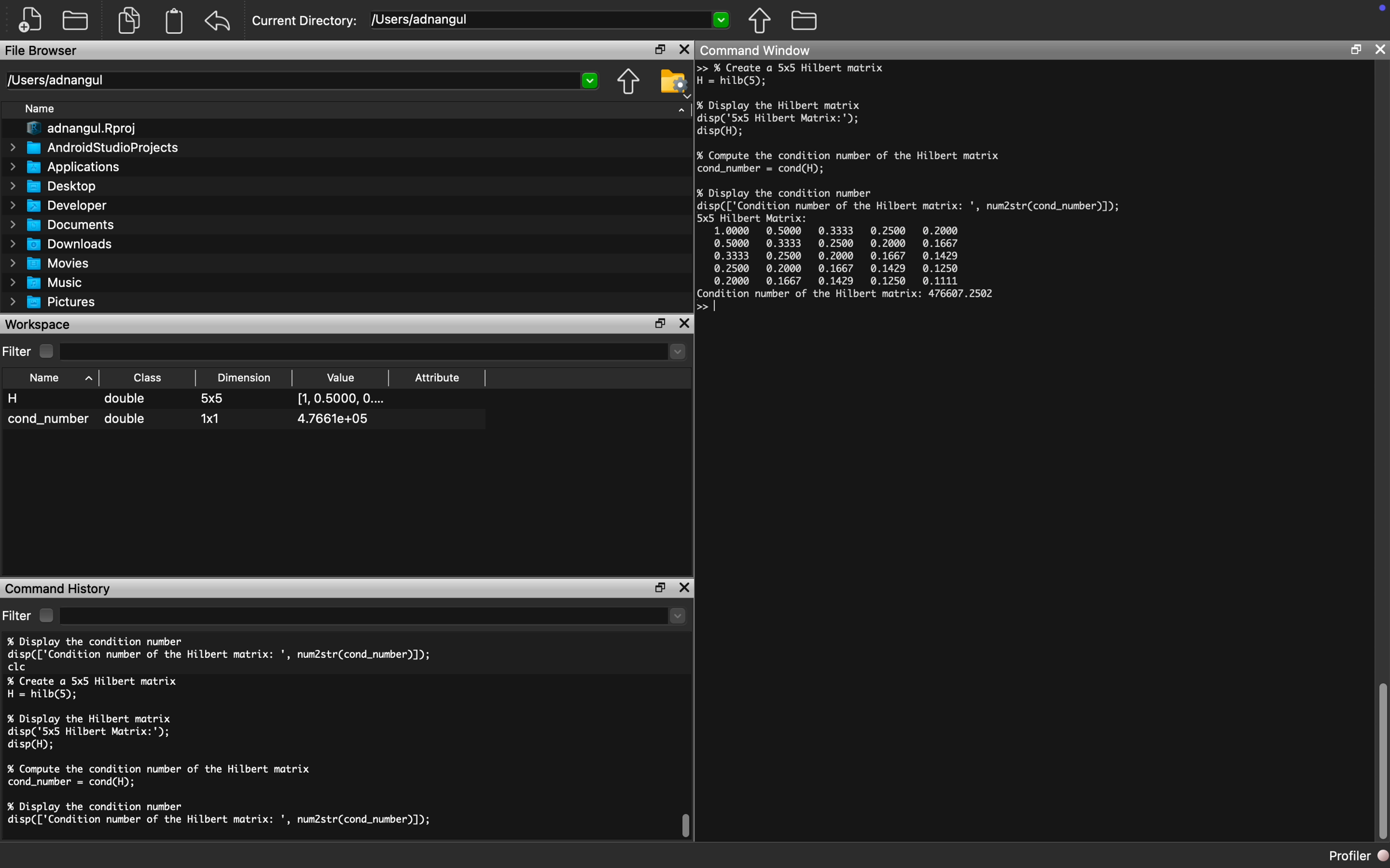 This screenshot has width=1390, height=868. I want to click on Attribute, so click(441, 377).